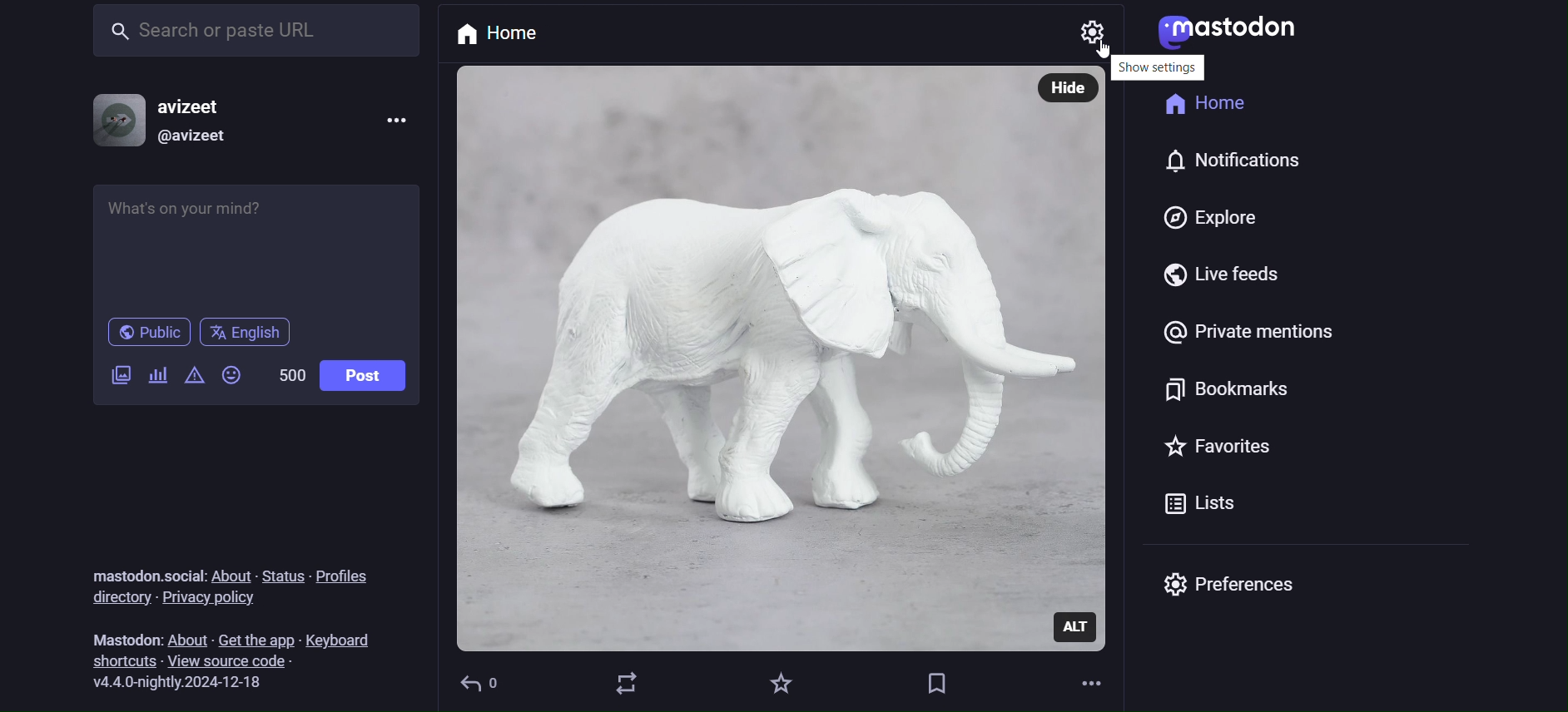 Image resolution: width=1568 pixels, height=712 pixels. Describe the element at coordinates (1197, 507) in the screenshot. I see `Lists` at that location.